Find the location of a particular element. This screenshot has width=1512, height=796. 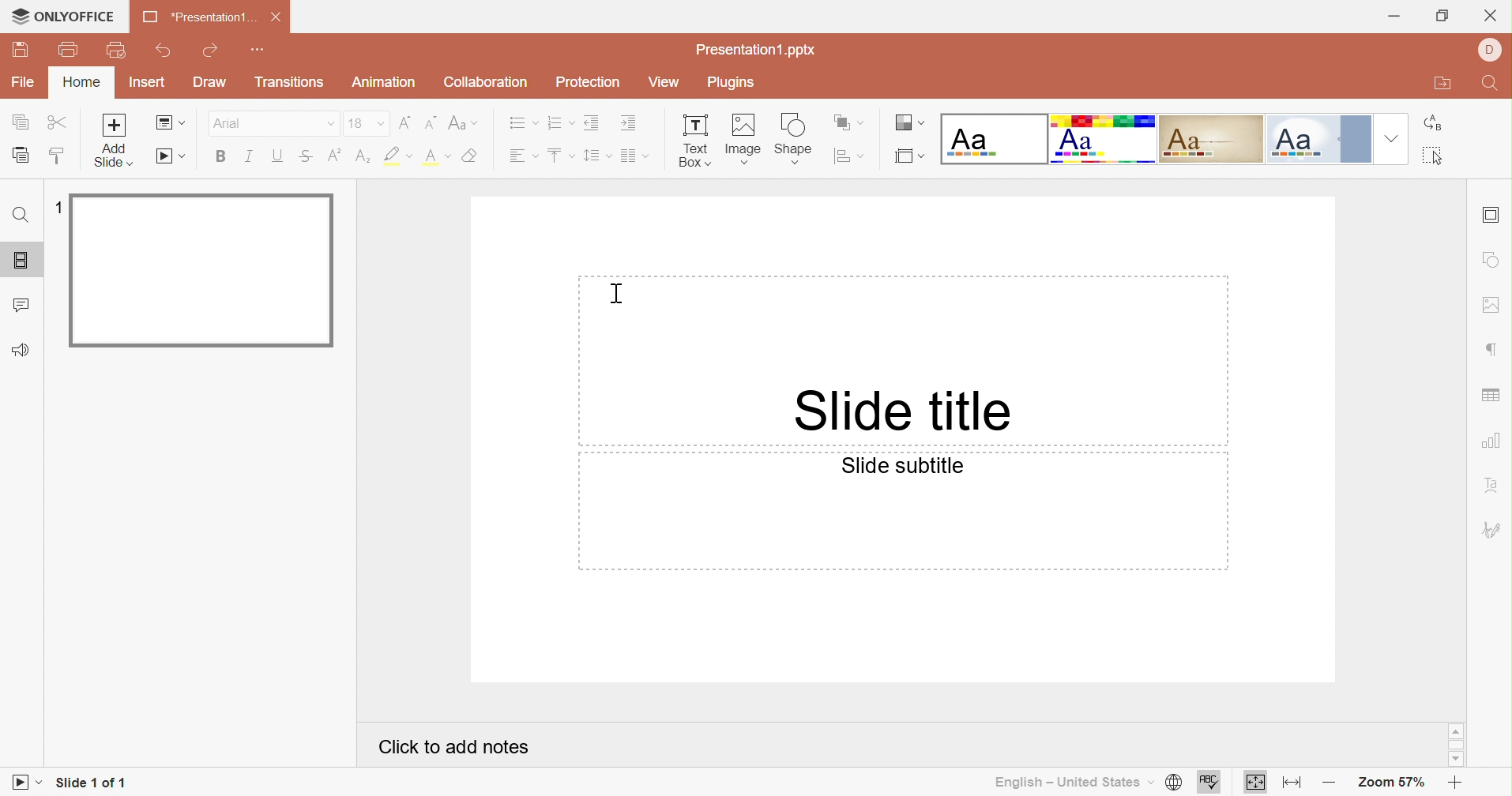

Find is located at coordinates (1490, 85).